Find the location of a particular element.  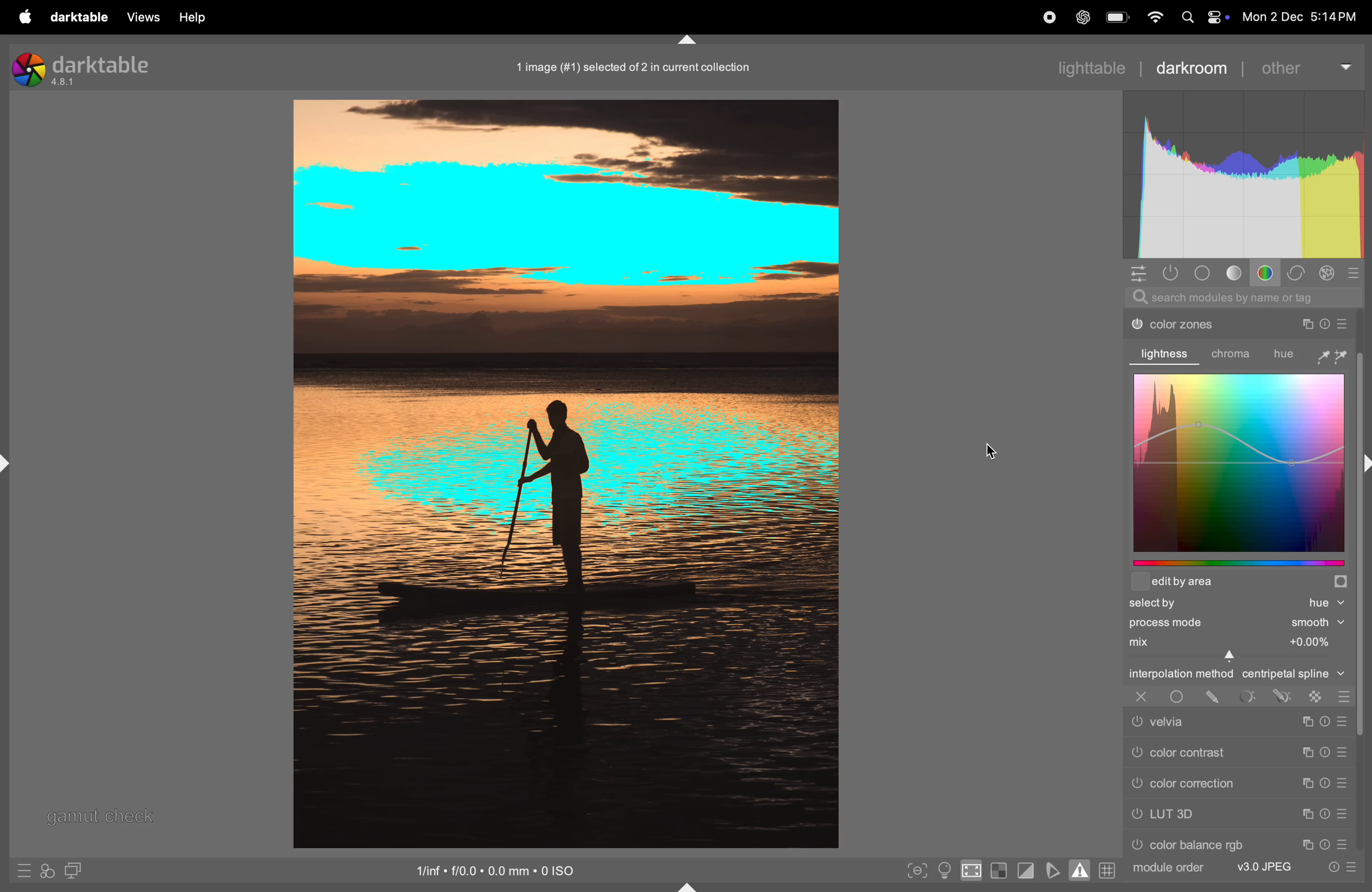

styles is located at coordinates (47, 872).